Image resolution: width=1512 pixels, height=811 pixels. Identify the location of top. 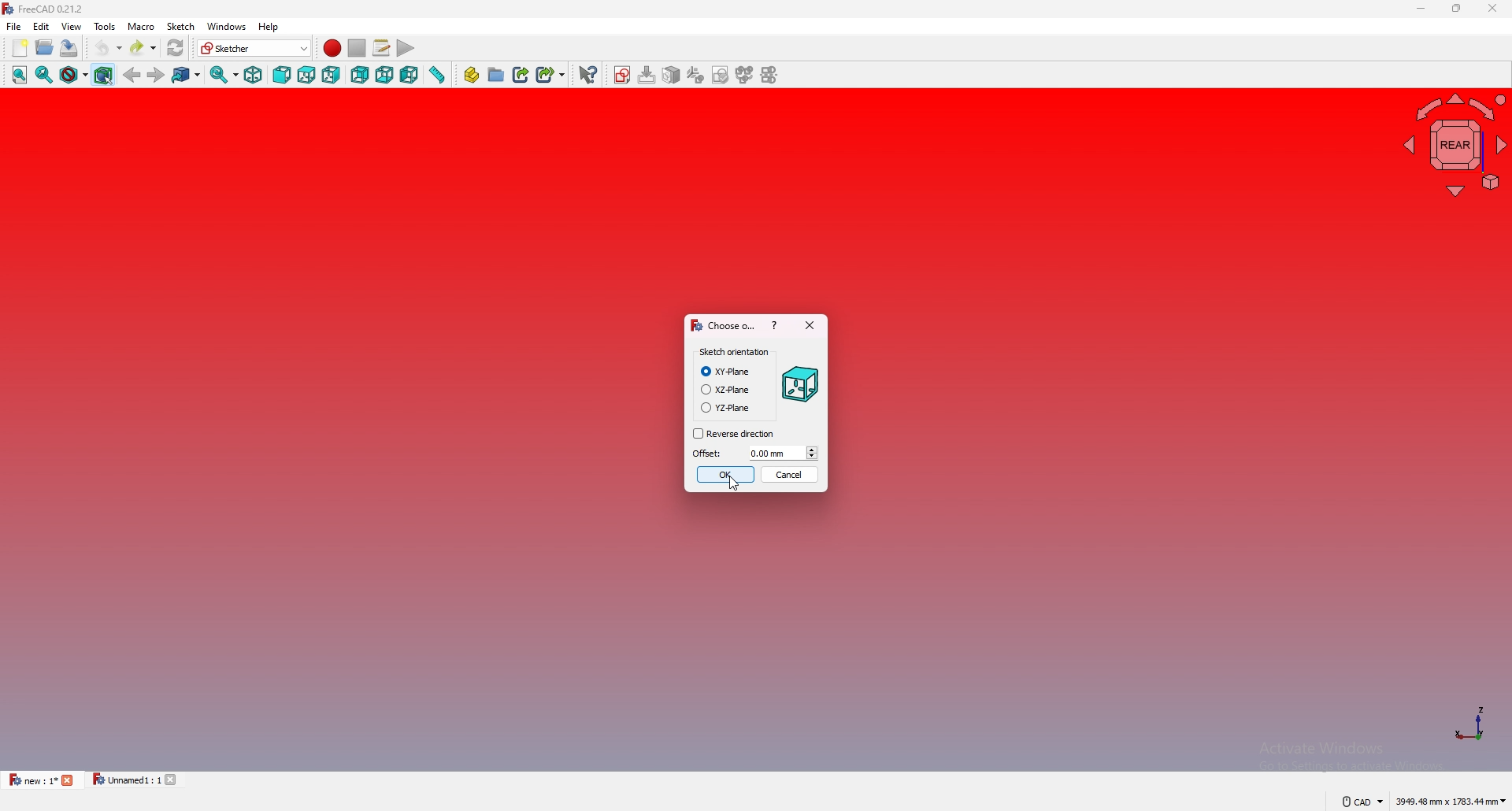
(306, 75).